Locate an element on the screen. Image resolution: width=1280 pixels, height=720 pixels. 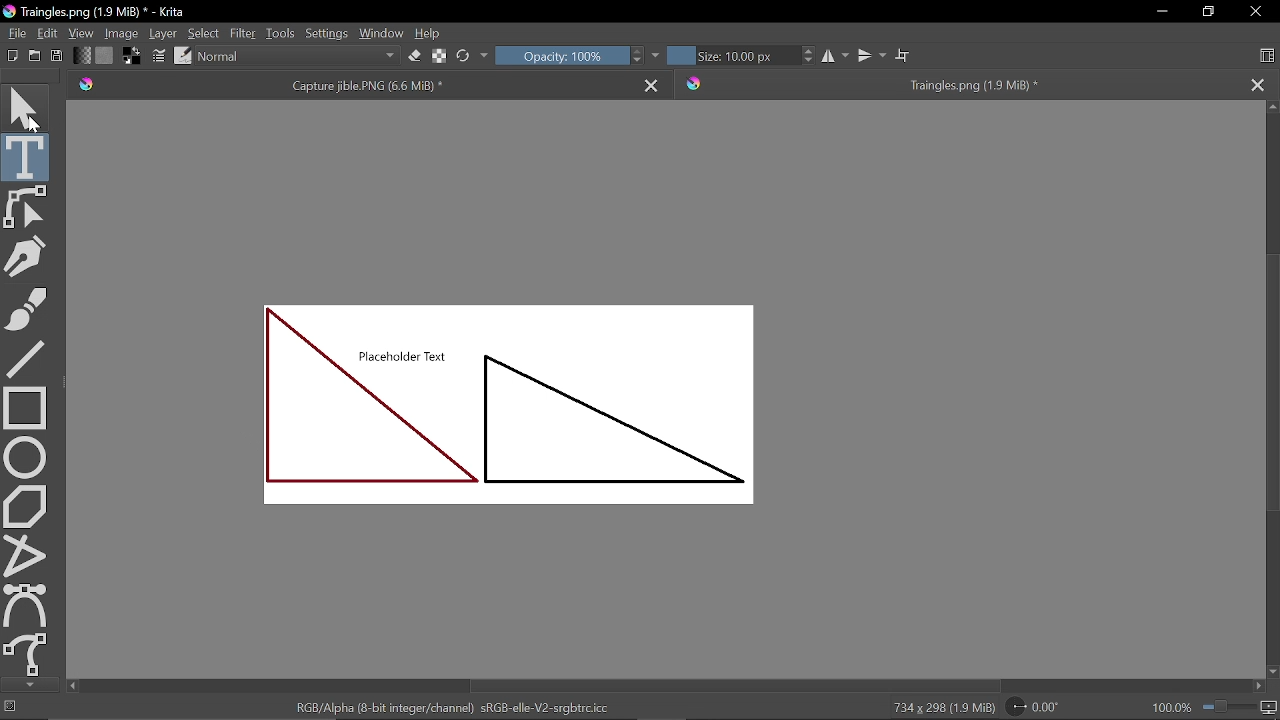
Bezier select tool is located at coordinates (27, 605).